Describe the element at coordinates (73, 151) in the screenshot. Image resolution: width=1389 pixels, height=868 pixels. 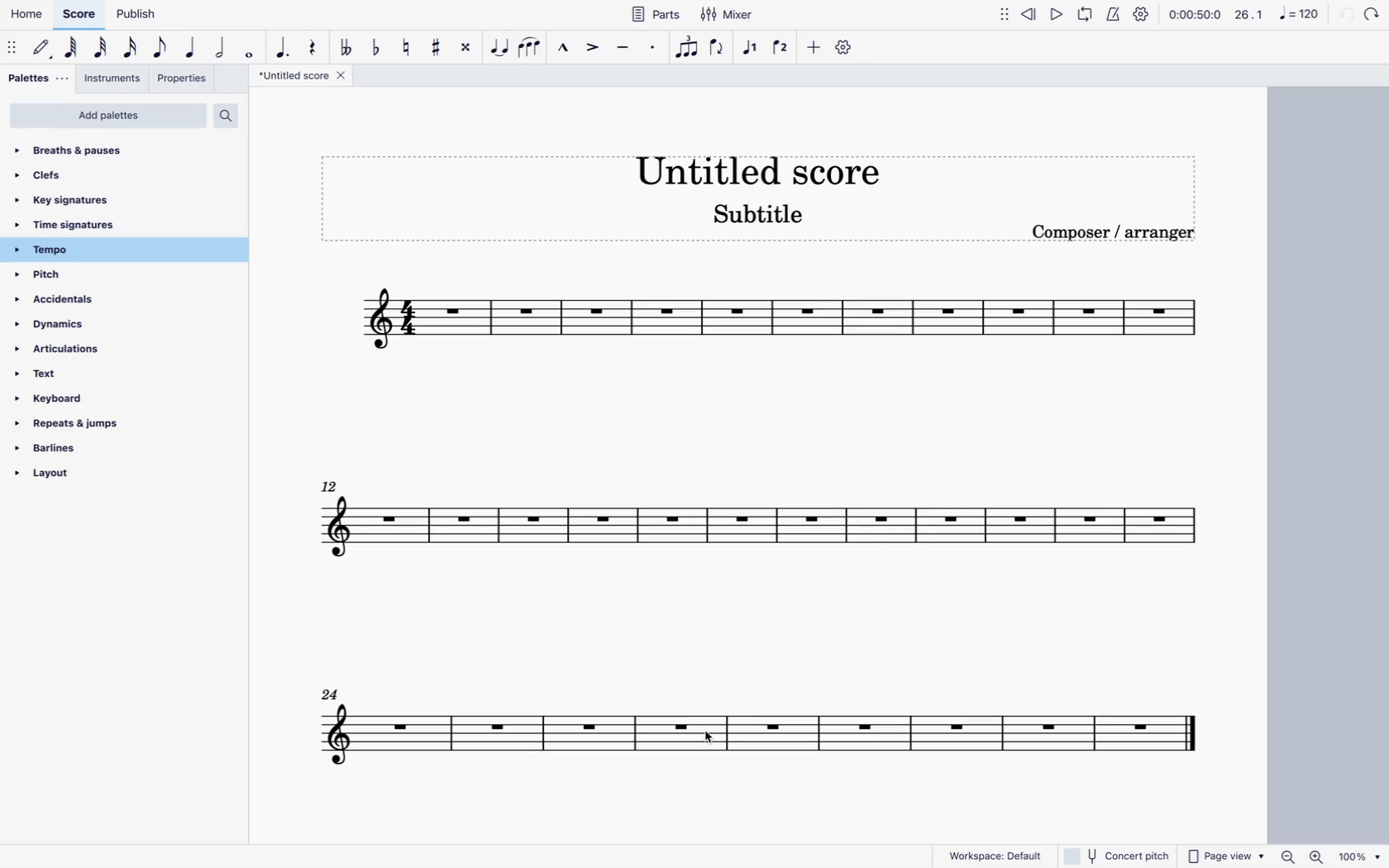
I see `breaths & pauses` at that location.